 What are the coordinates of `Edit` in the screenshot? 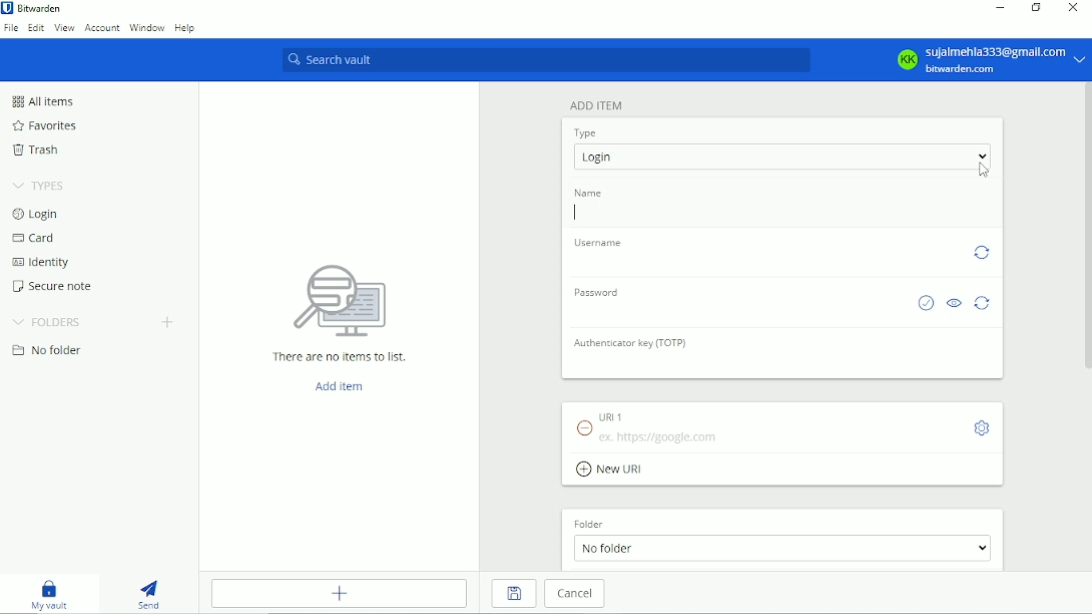 It's located at (37, 28).